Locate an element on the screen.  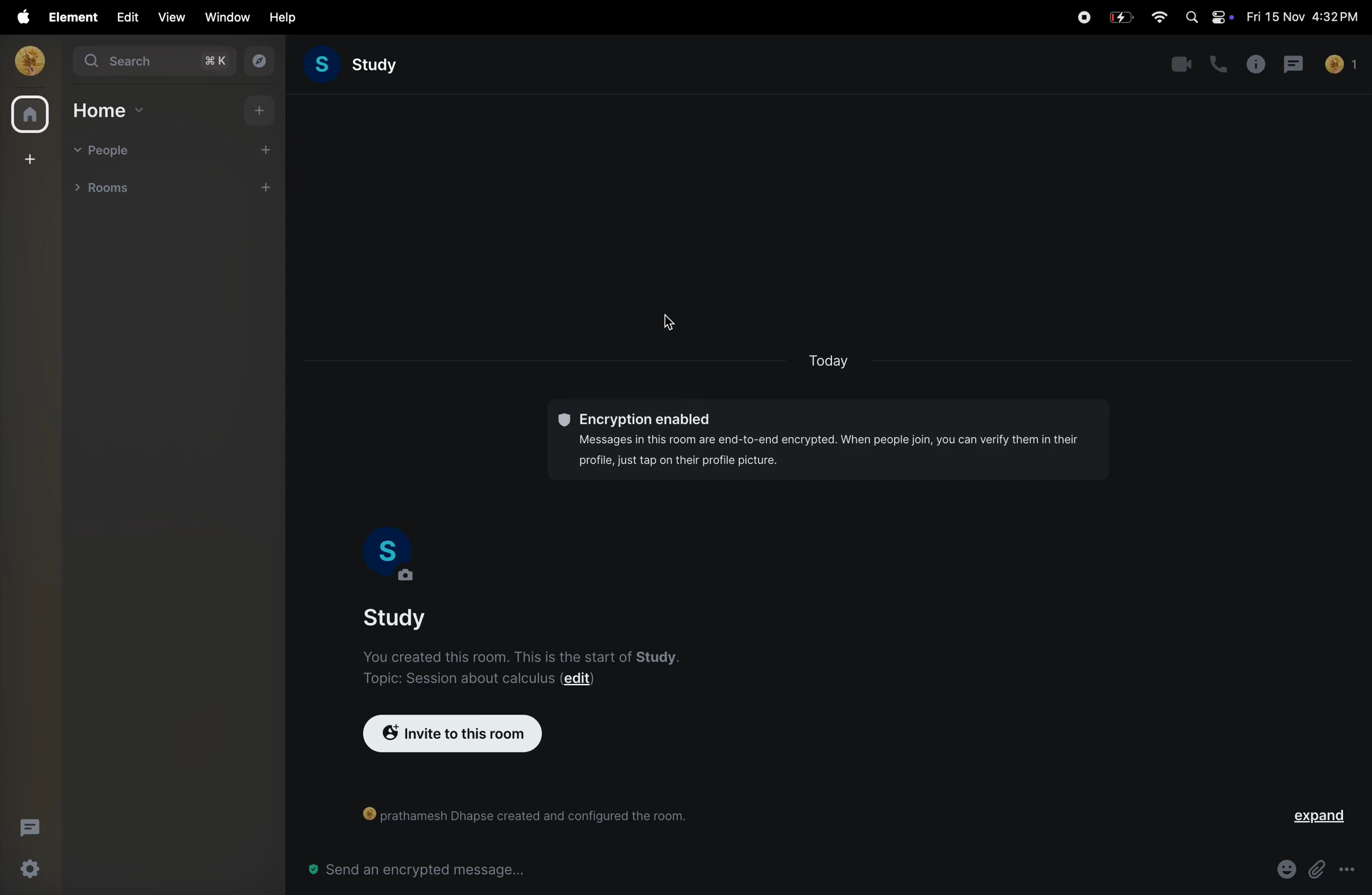
add is located at coordinates (255, 112).